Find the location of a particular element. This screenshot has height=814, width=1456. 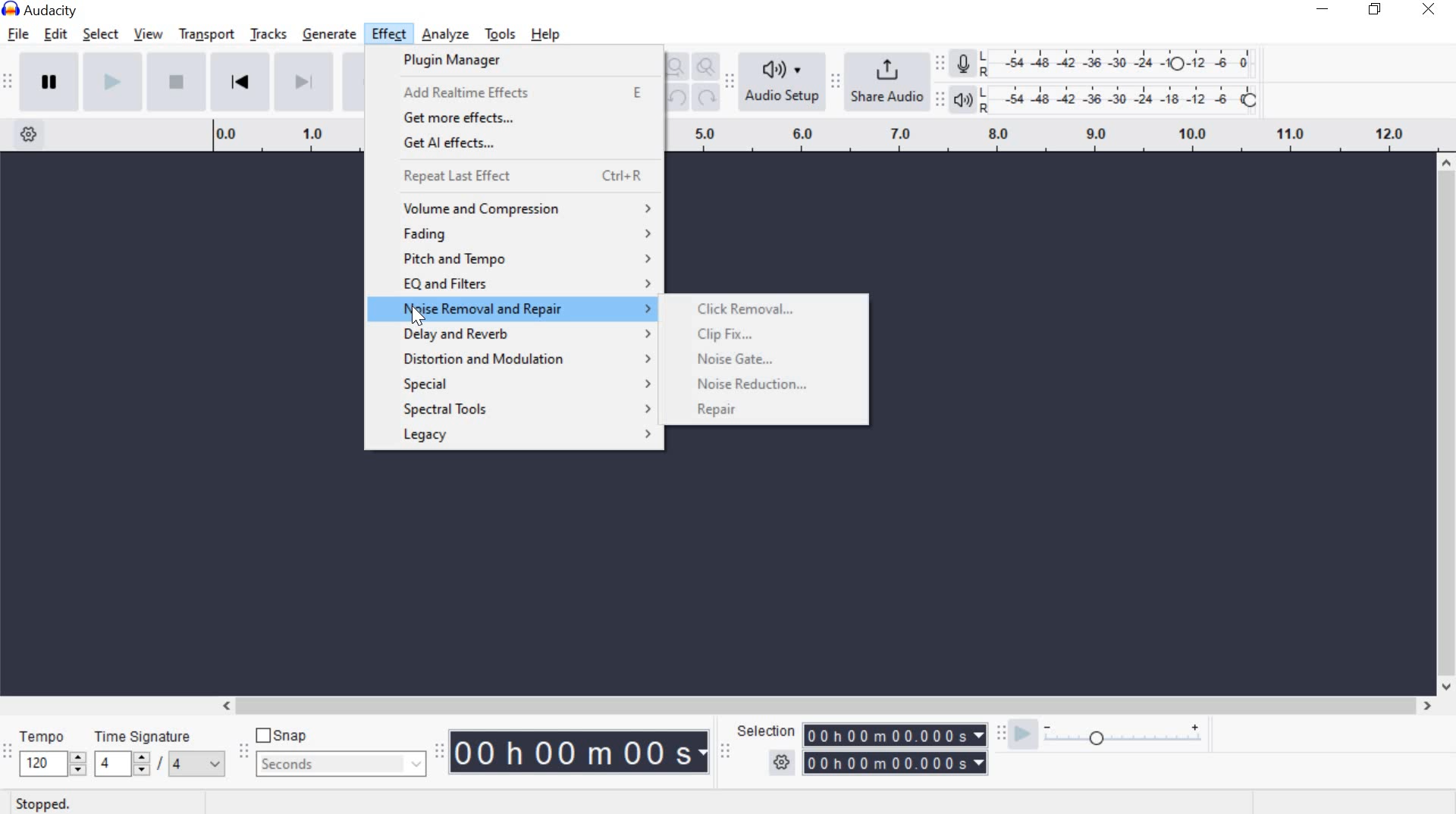

effect is located at coordinates (388, 35).